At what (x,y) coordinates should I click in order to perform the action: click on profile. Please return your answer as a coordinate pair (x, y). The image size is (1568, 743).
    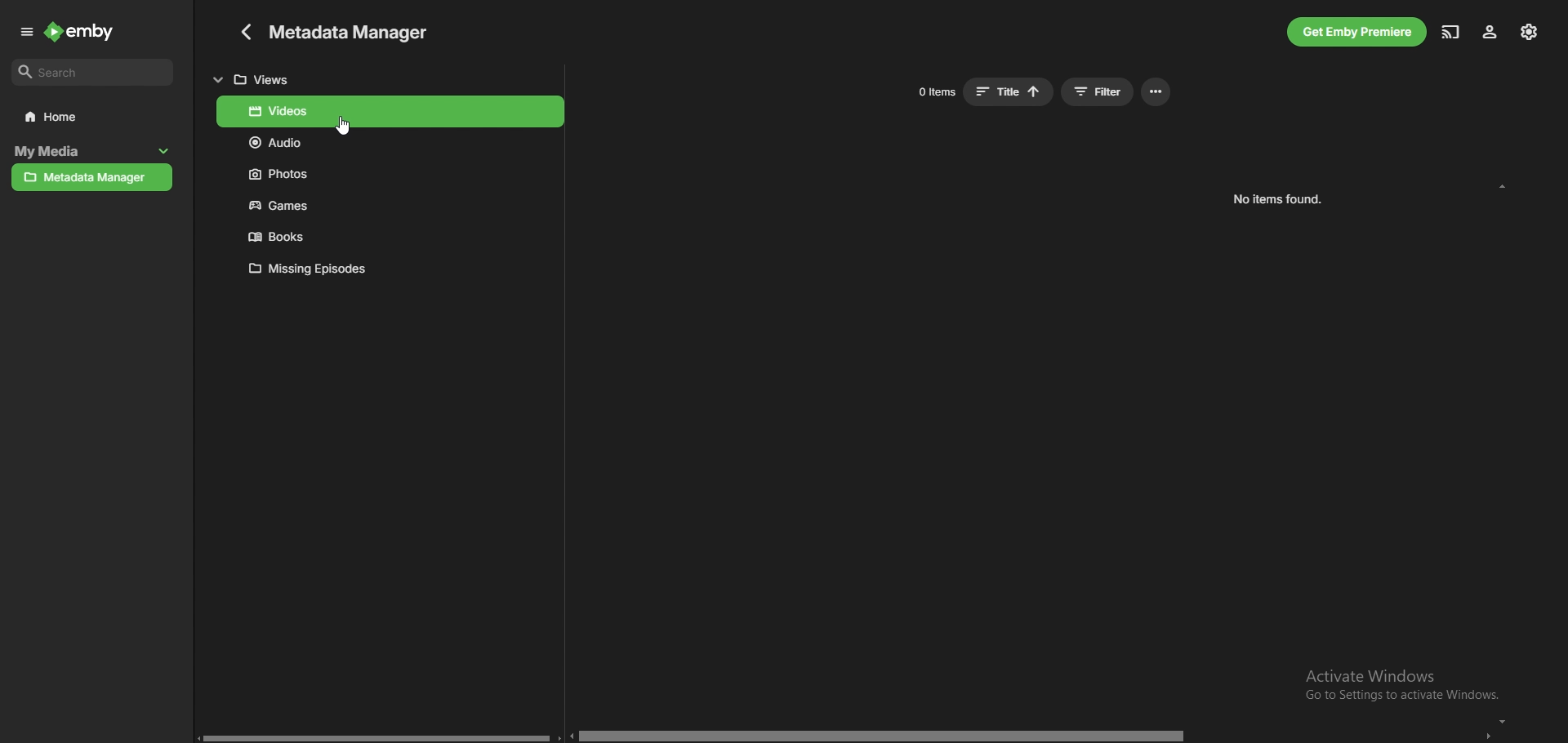
    Looking at the image, I should click on (1490, 33).